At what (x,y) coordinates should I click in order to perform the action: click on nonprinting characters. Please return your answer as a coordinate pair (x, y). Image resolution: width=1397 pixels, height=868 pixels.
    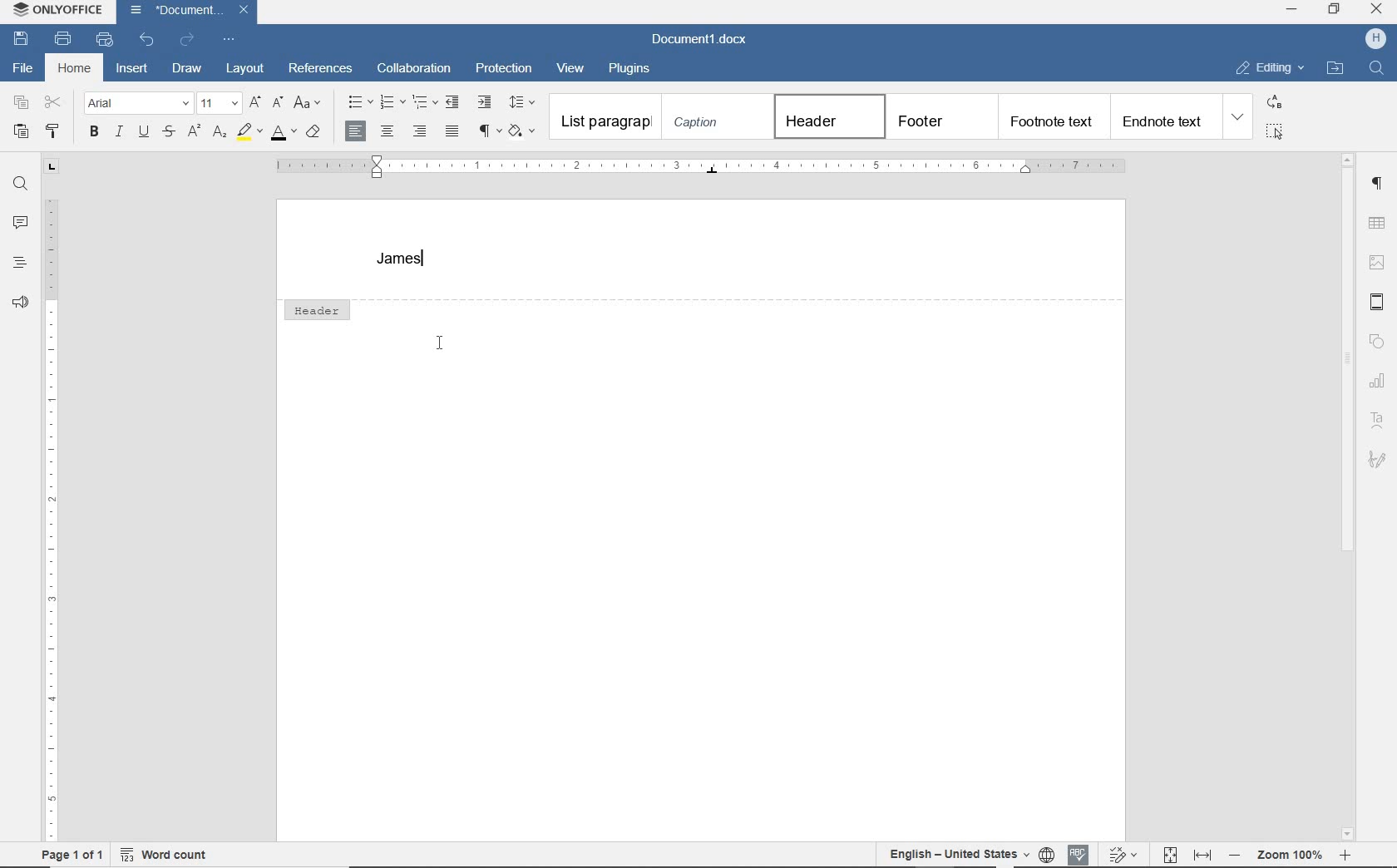
    Looking at the image, I should click on (489, 131).